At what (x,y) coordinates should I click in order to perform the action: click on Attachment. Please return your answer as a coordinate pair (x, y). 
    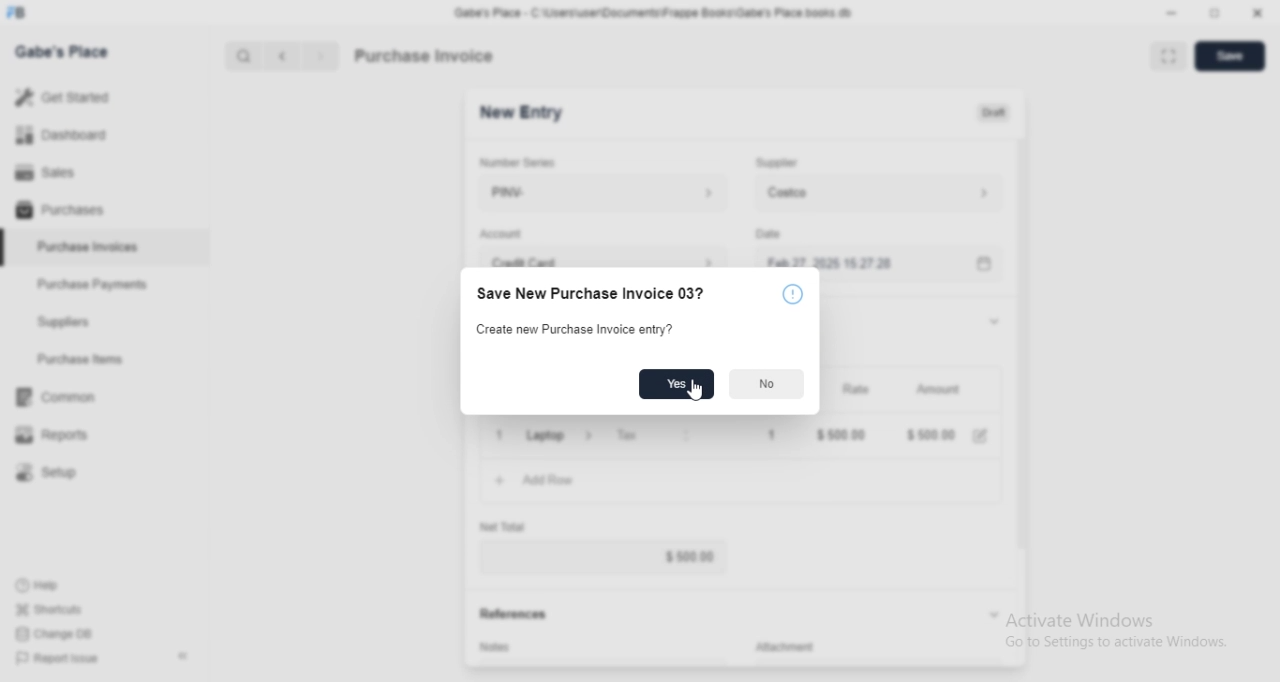
    Looking at the image, I should click on (785, 646).